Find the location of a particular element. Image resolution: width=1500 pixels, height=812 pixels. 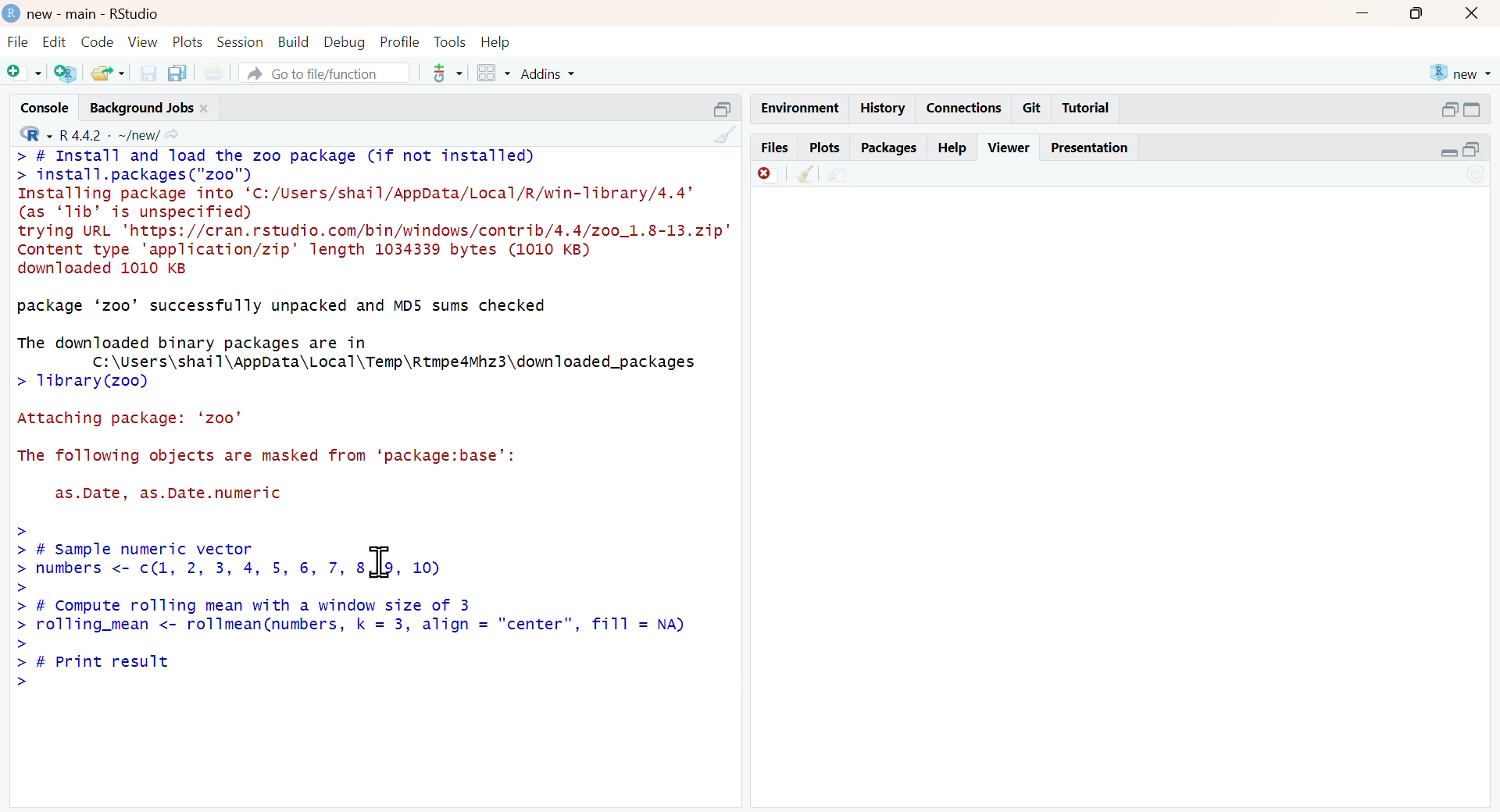

close is located at coordinates (205, 109).